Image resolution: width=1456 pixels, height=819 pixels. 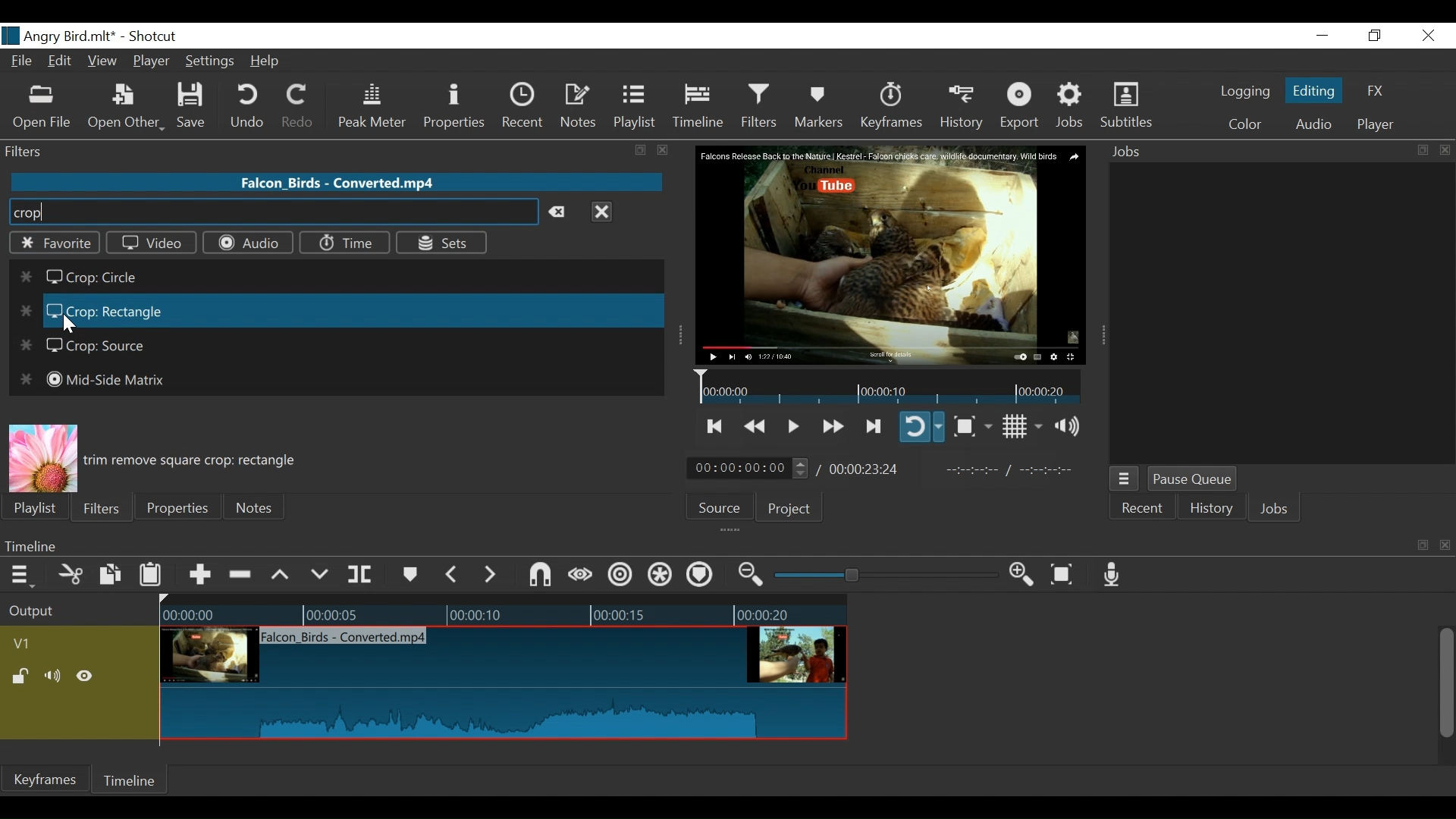 I want to click on Zoom timeline in, so click(x=1026, y=576).